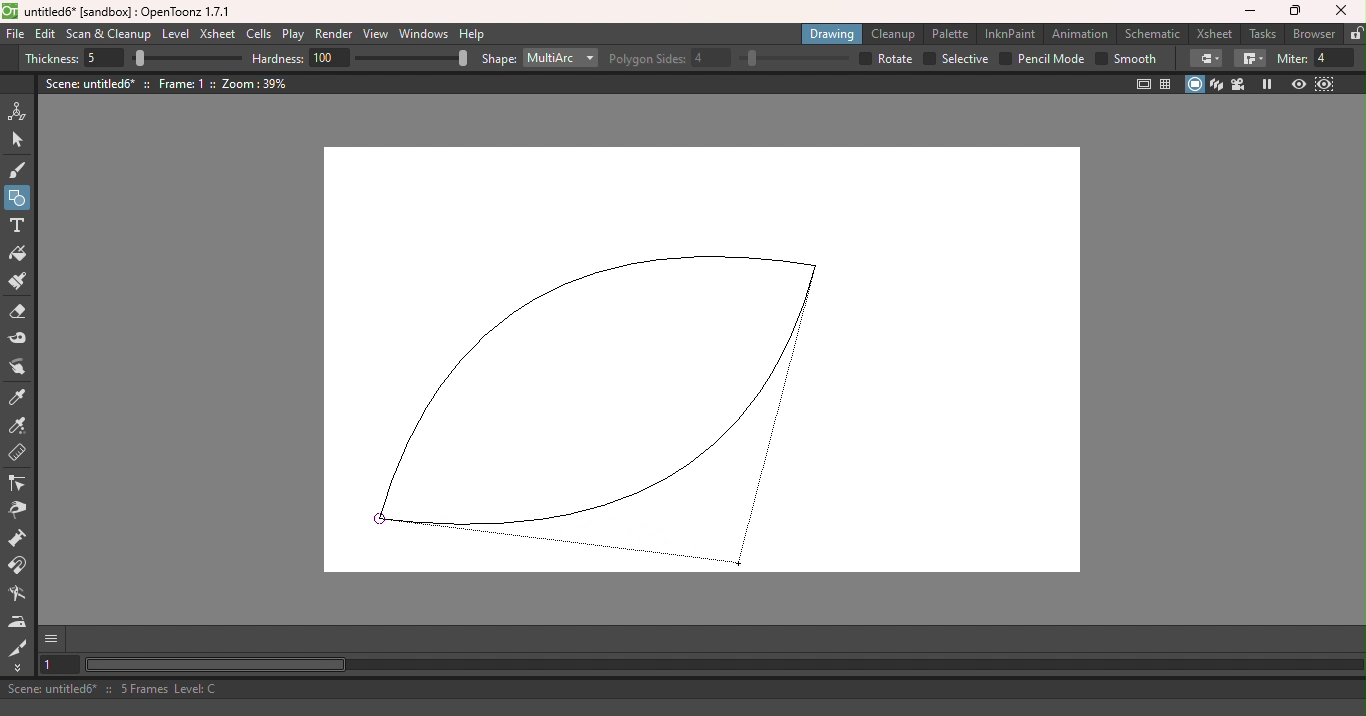 The image size is (1366, 716). What do you see at coordinates (19, 170) in the screenshot?
I see `Brush tool` at bounding box center [19, 170].